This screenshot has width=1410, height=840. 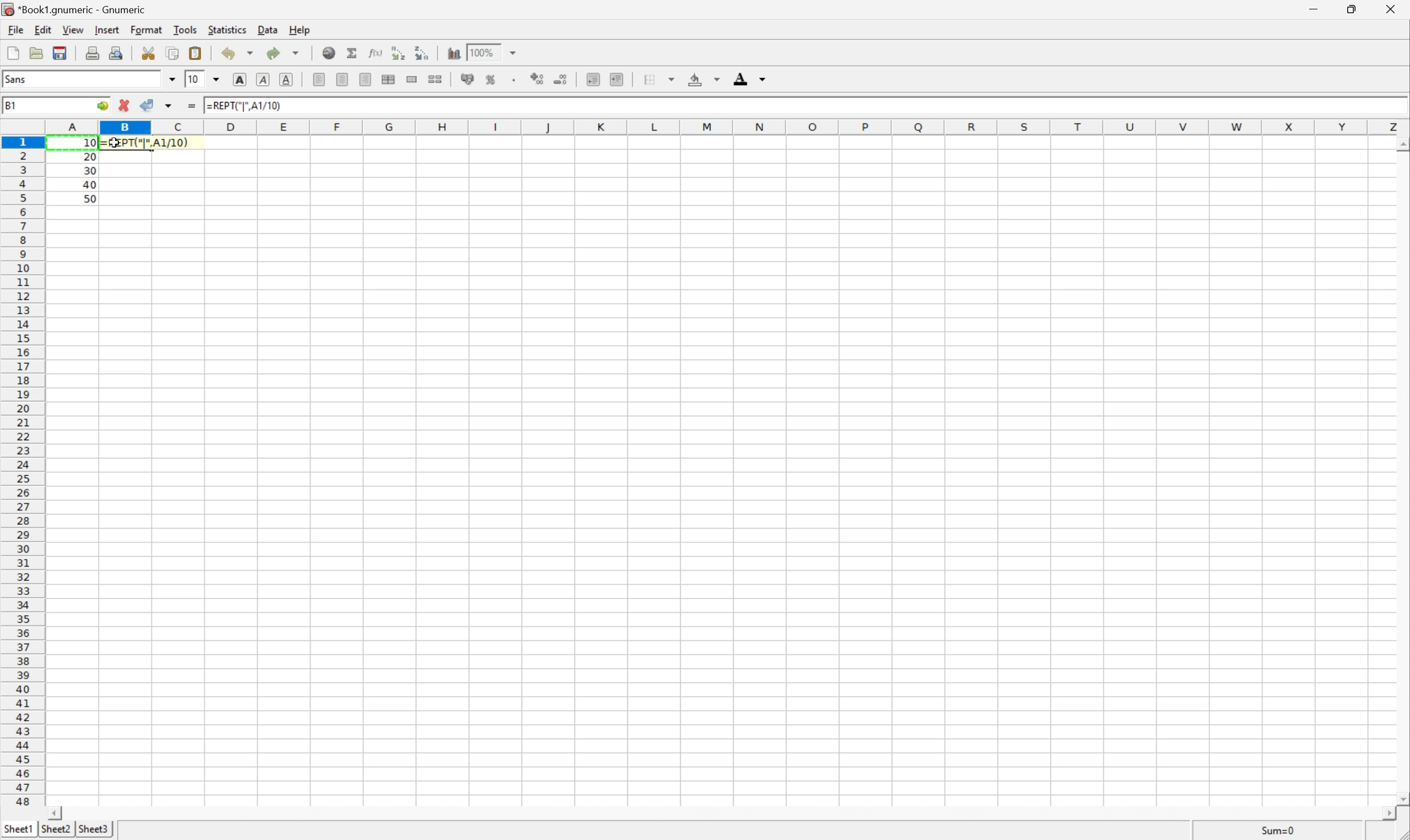 What do you see at coordinates (117, 52) in the screenshot?
I see `Print preview` at bounding box center [117, 52].